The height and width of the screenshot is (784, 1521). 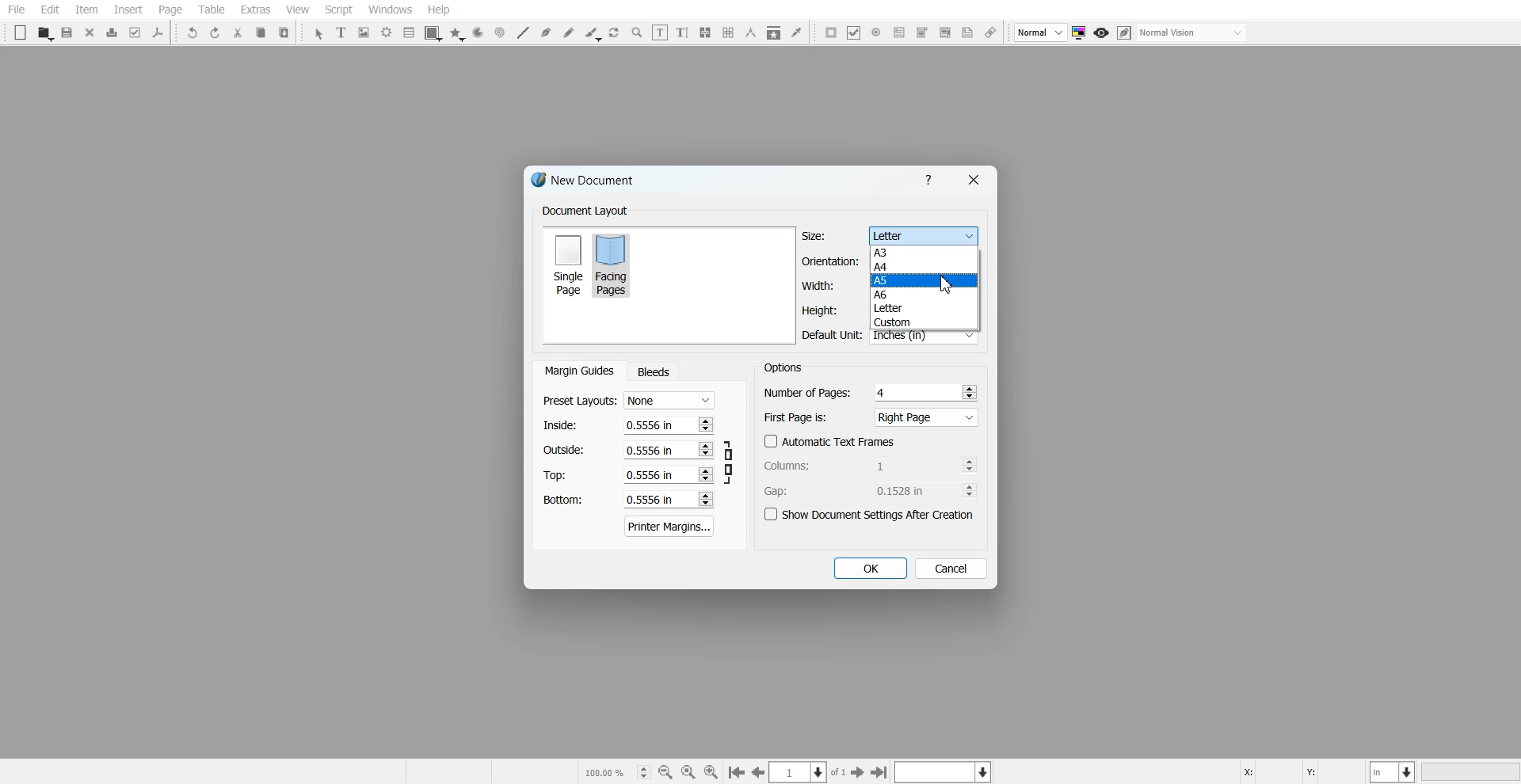 I want to click on Increase and decrease No. , so click(x=969, y=465).